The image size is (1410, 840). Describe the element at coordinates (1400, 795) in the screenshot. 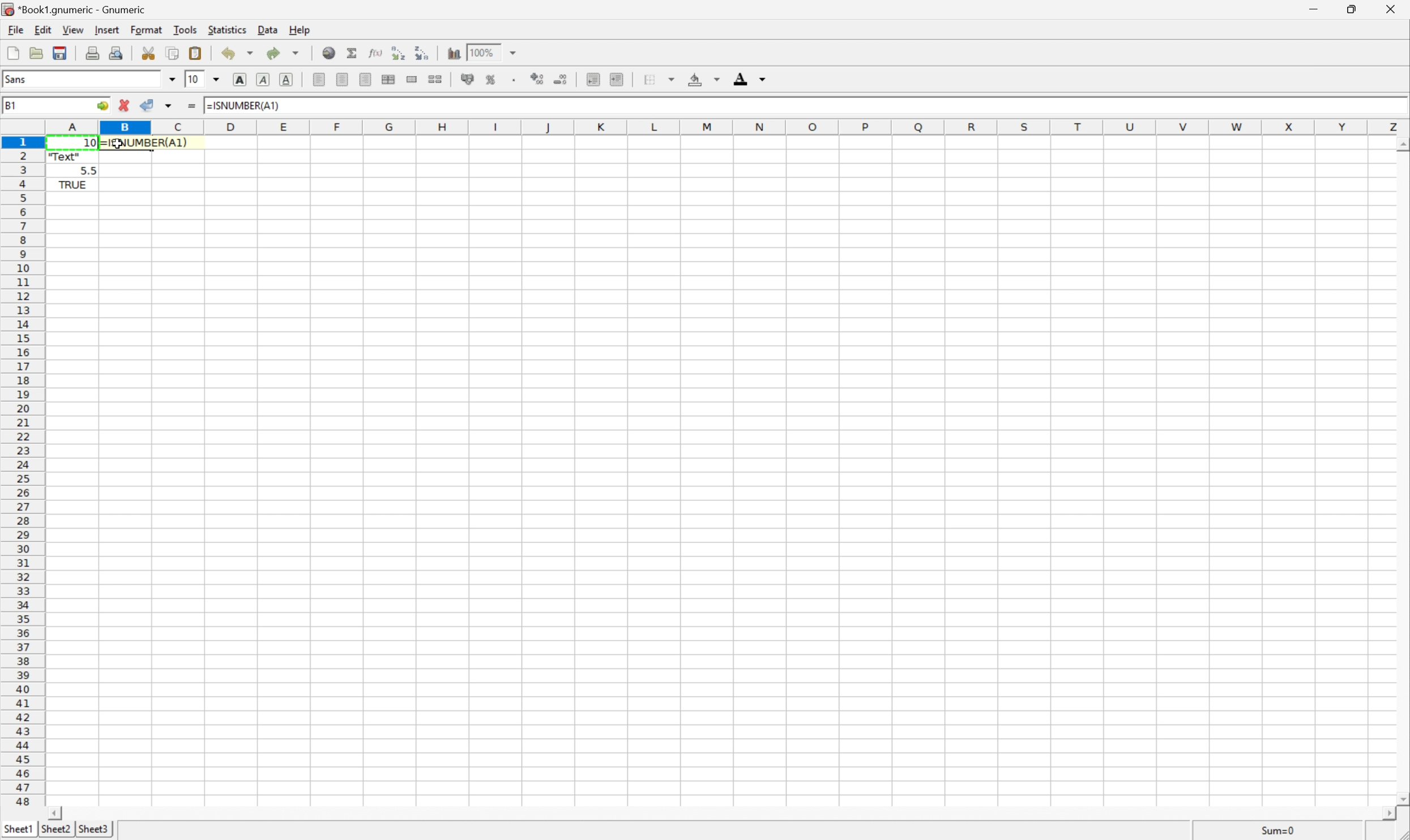

I see `Scroll Down` at that location.